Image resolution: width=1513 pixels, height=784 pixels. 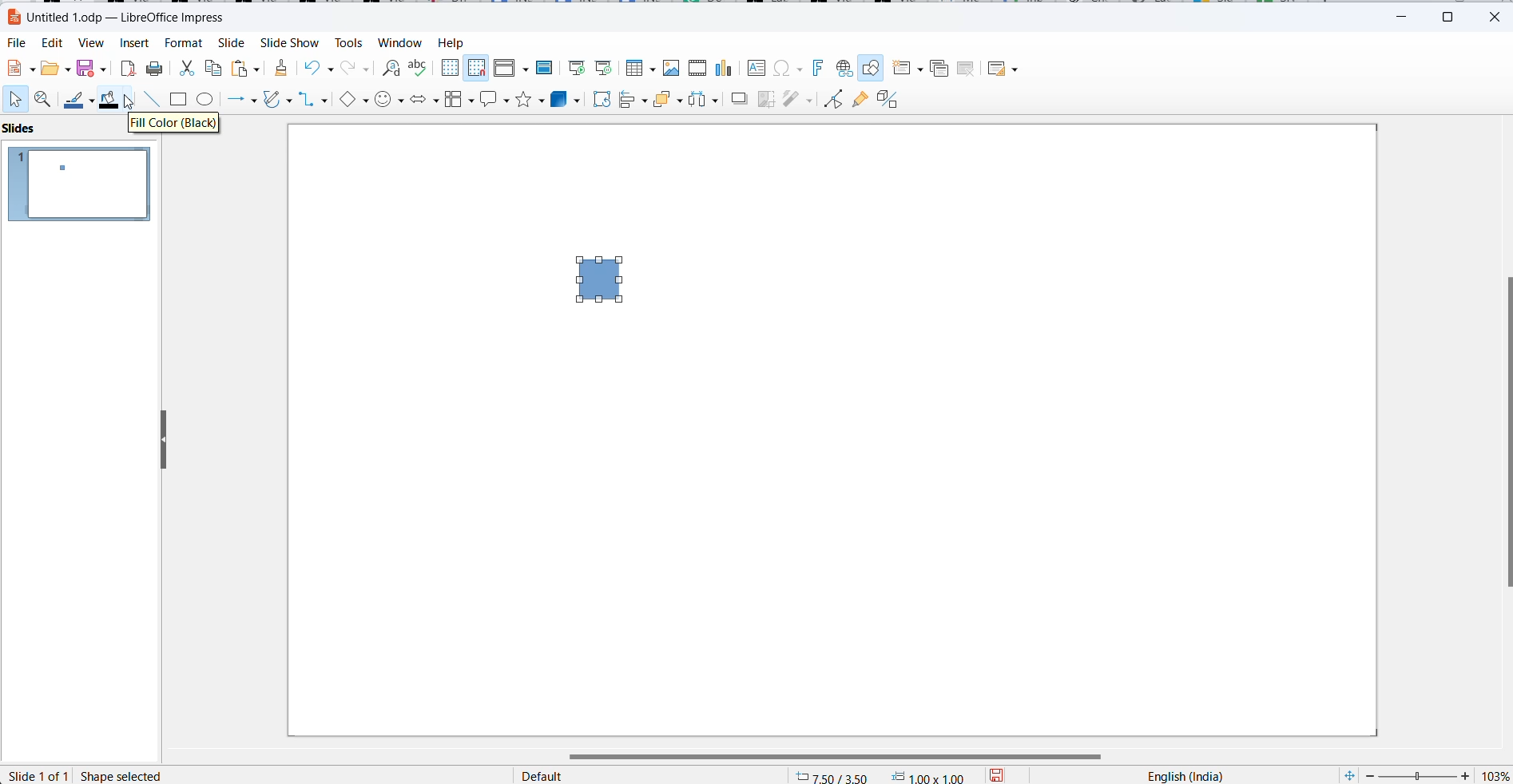 I want to click on clear direct formatting, so click(x=280, y=68).